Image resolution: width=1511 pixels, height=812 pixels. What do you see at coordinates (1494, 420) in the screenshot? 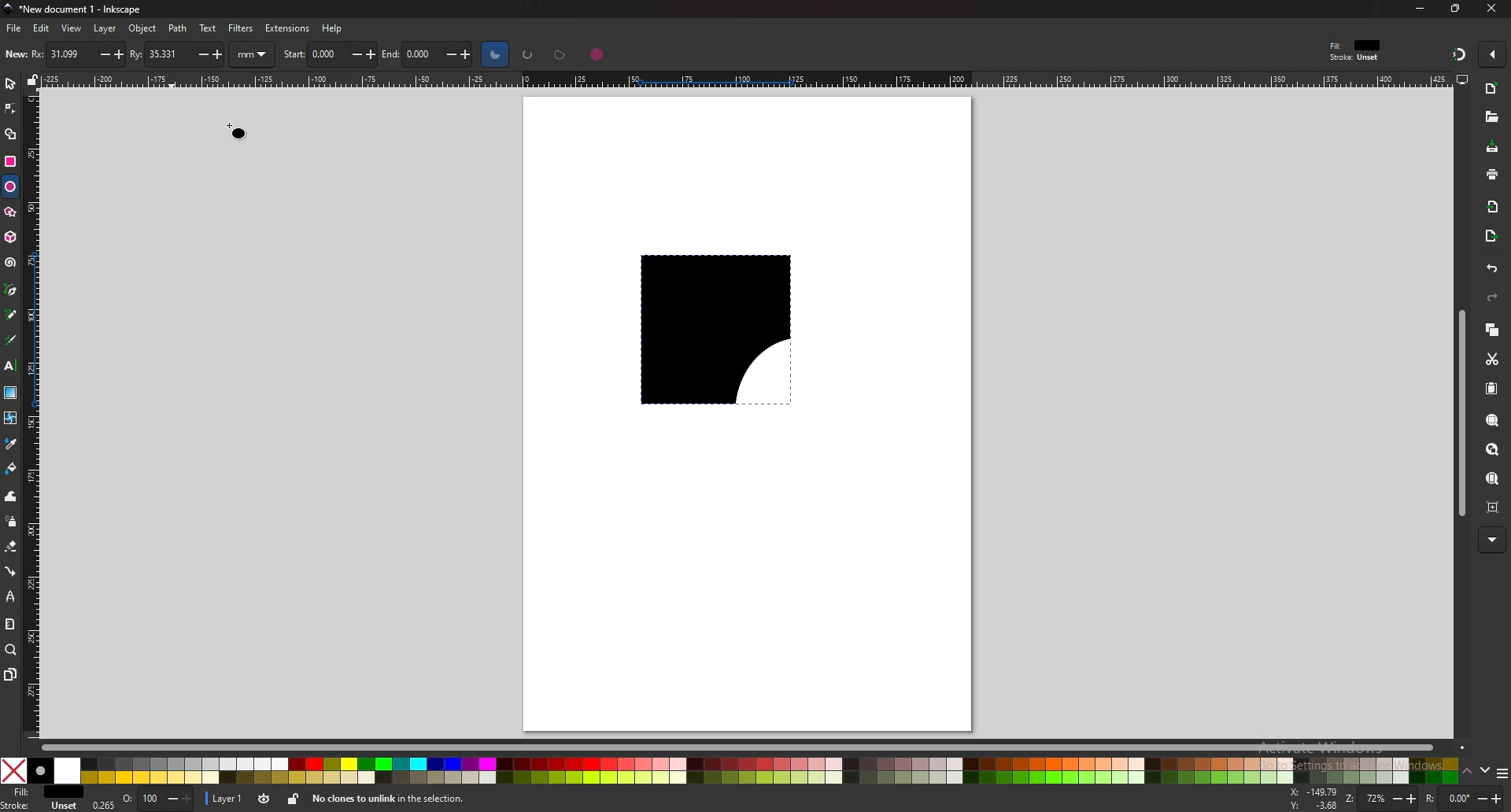
I see `zoom selection` at bounding box center [1494, 420].